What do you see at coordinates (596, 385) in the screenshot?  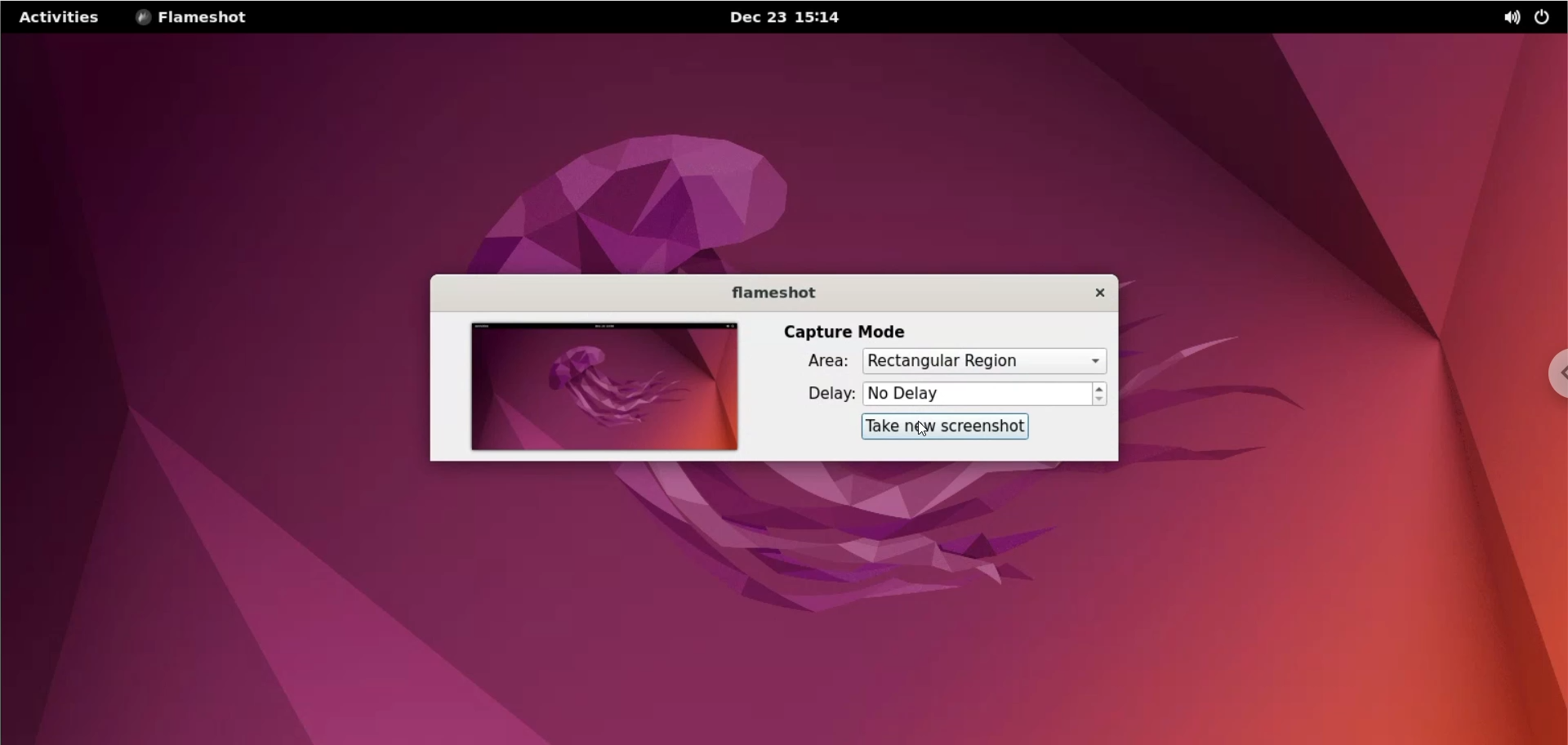 I see `screenshot  preview` at bounding box center [596, 385].